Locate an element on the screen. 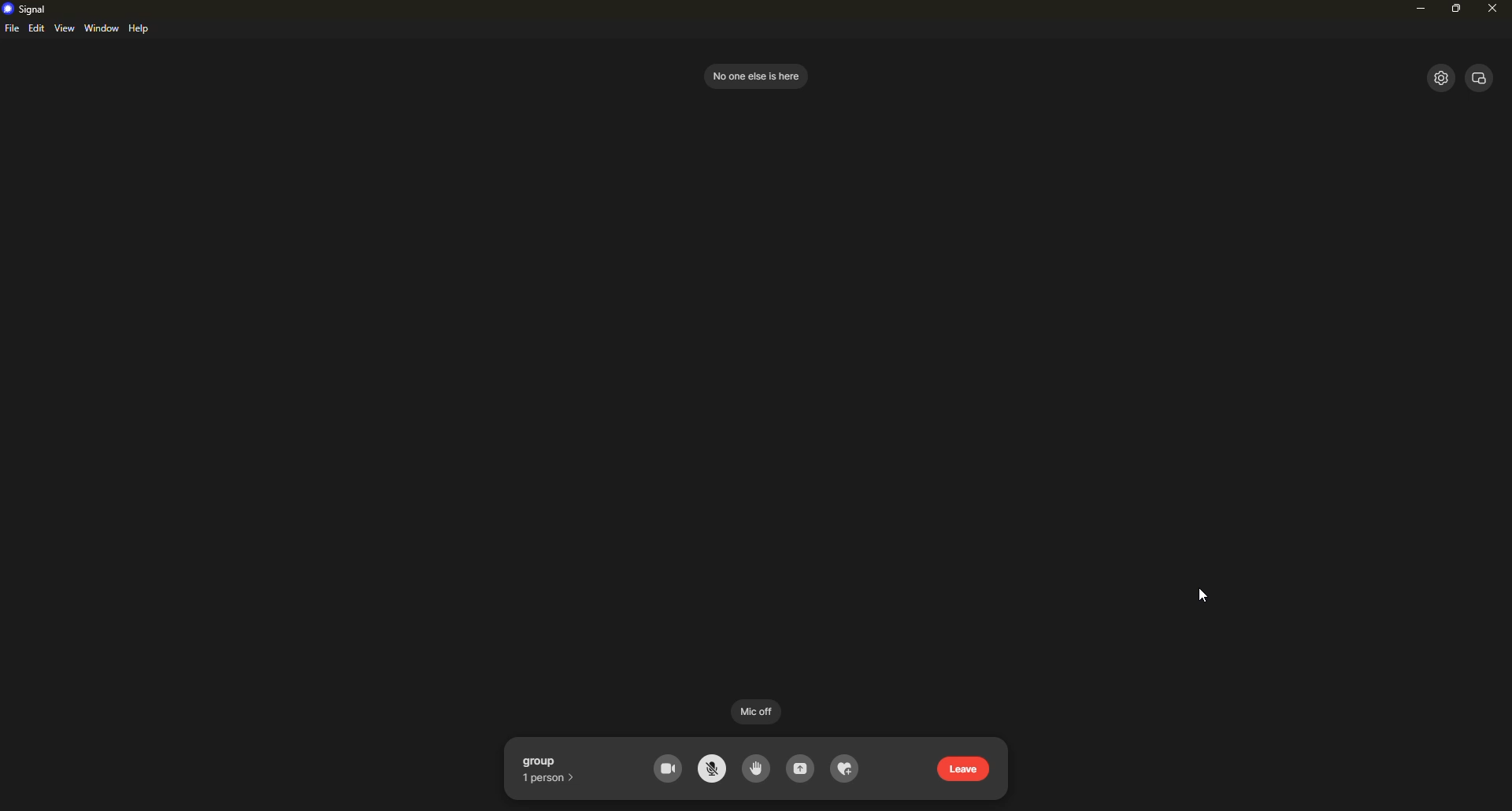  settings is located at coordinates (1439, 78).